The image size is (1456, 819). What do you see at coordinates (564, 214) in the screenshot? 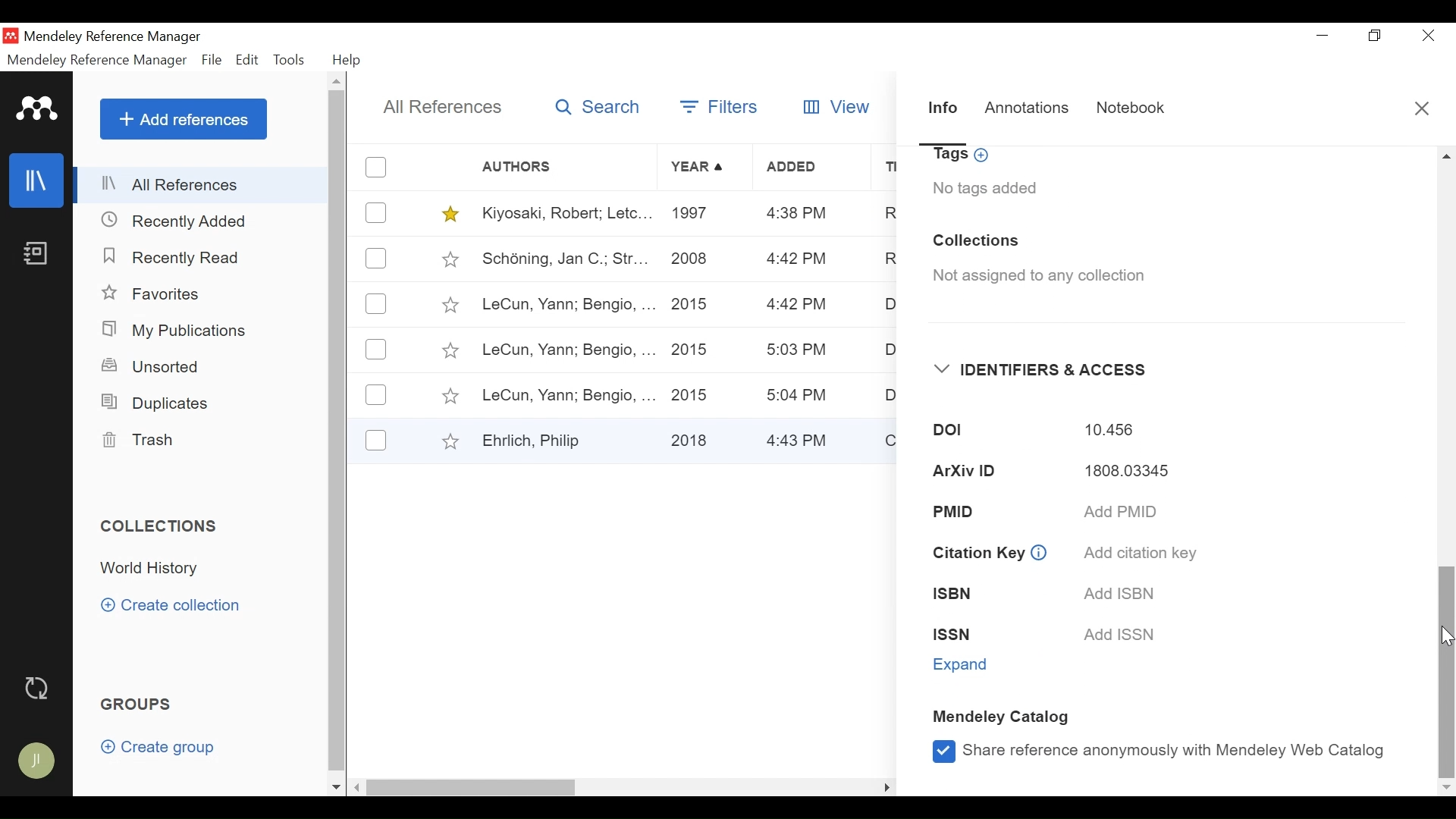
I see `Kiyosaki, Robert; Letc...` at bounding box center [564, 214].